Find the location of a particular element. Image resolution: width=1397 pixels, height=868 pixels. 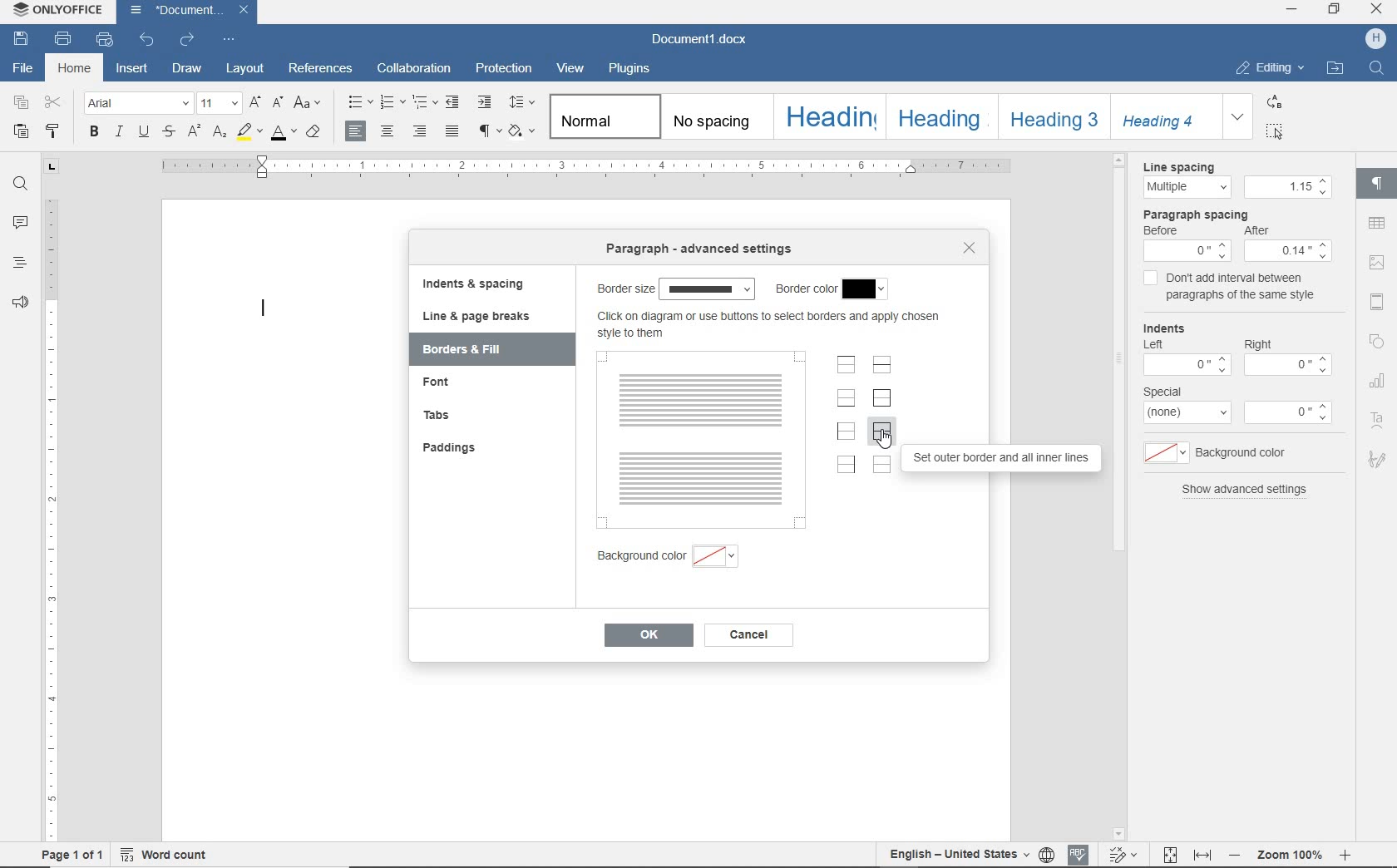

Find is located at coordinates (1380, 72).